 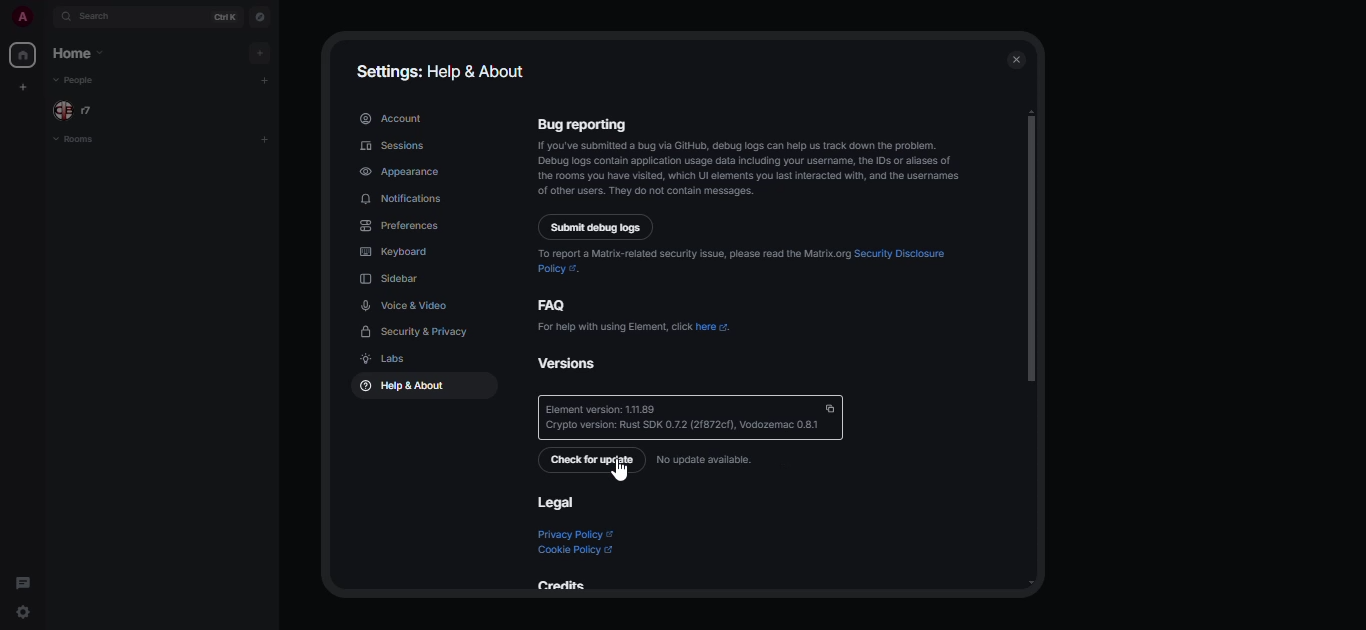 I want to click on to report a matrix-related security issue, please read the matrix.org security disclosure policy, so click(x=747, y=258).